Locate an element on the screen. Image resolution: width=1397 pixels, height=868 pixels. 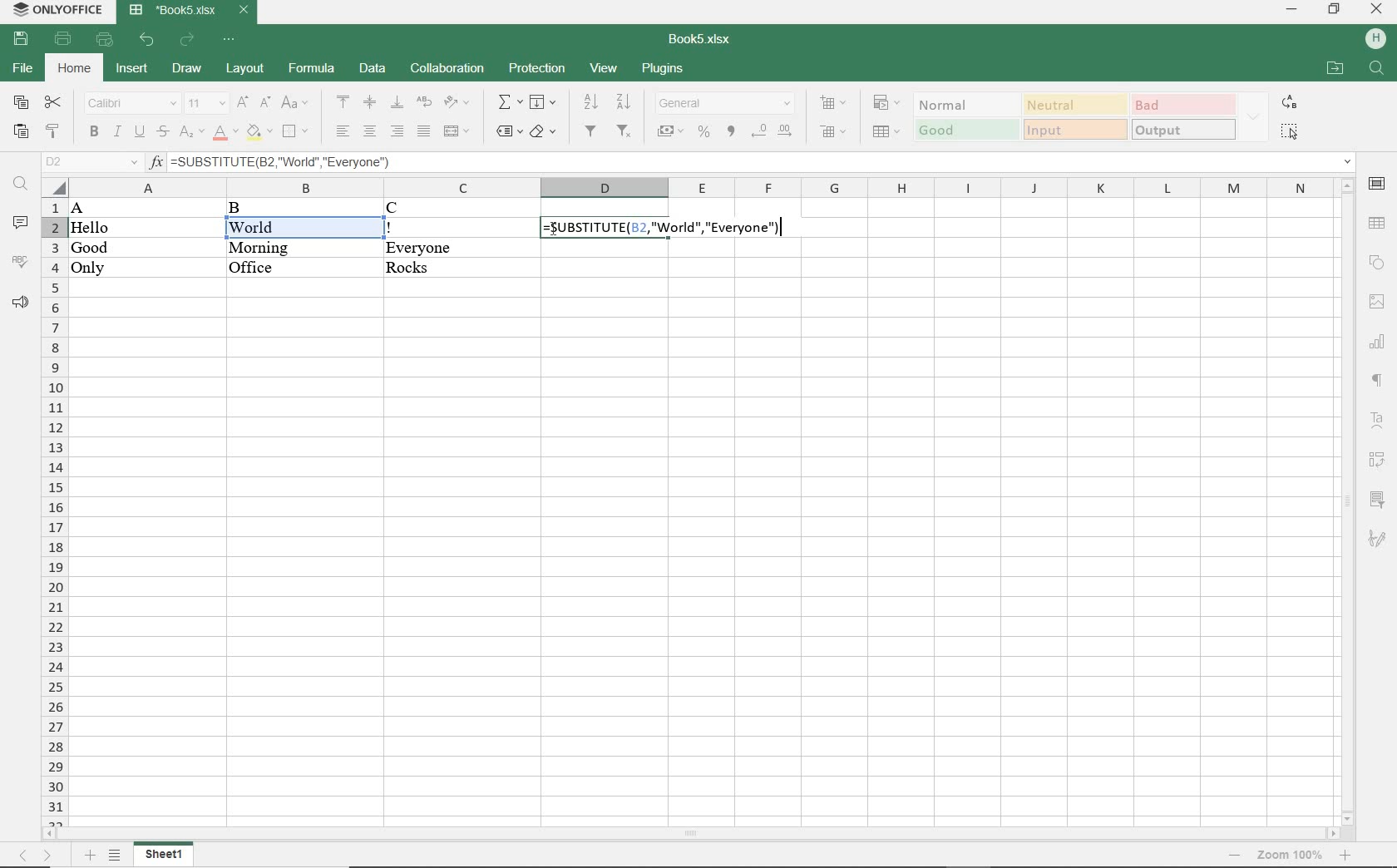
B is located at coordinates (250, 209).